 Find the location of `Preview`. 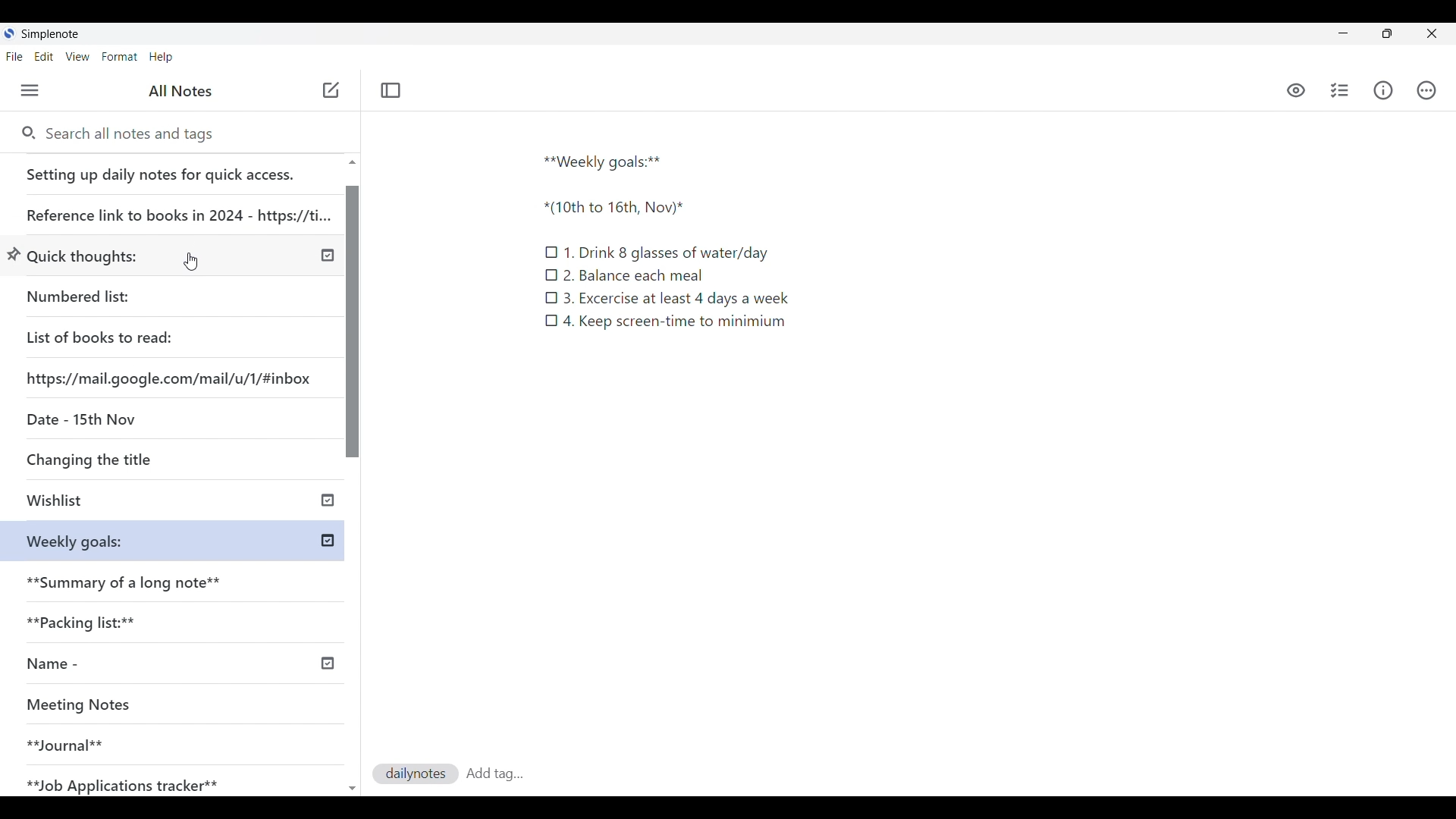

Preview is located at coordinates (1297, 92).